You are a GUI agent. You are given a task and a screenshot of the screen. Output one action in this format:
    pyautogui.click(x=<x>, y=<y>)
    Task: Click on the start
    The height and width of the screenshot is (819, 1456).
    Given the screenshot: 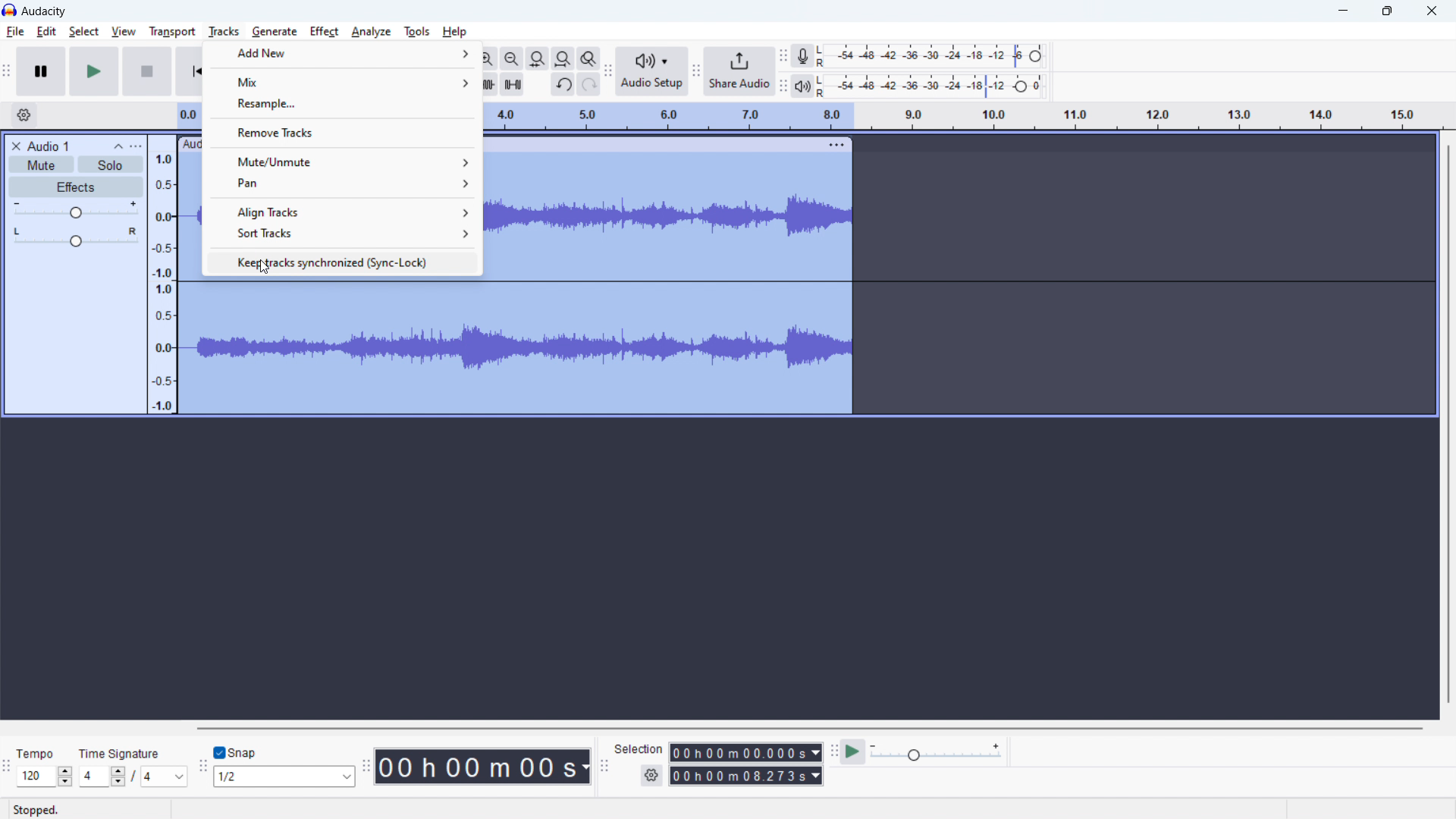 What is the action you would take?
    pyautogui.click(x=94, y=71)
    